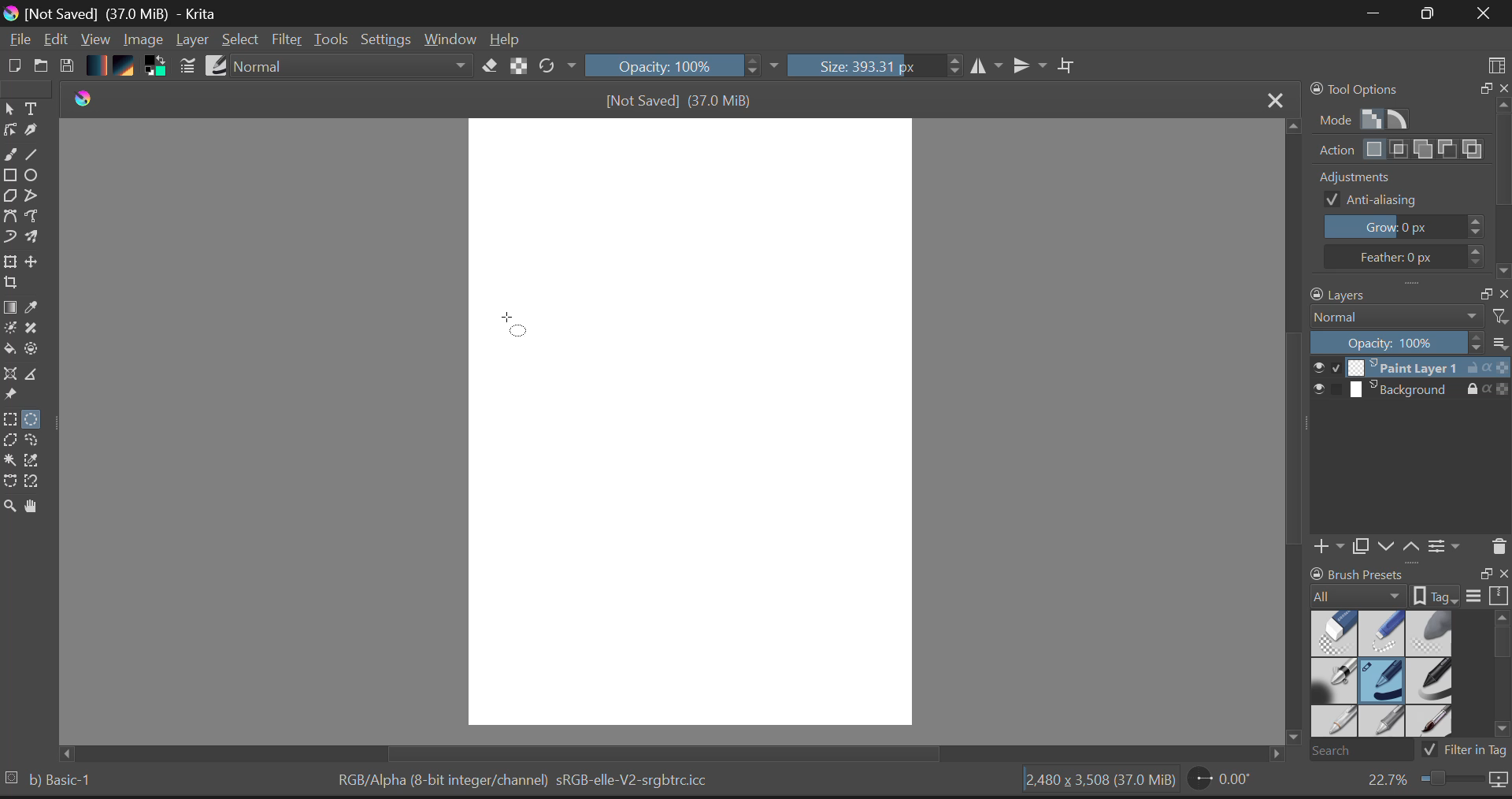 Image resolution: width=1512 pixels, height=799 pixels. I want to click on Zoom, so click(9, 504).